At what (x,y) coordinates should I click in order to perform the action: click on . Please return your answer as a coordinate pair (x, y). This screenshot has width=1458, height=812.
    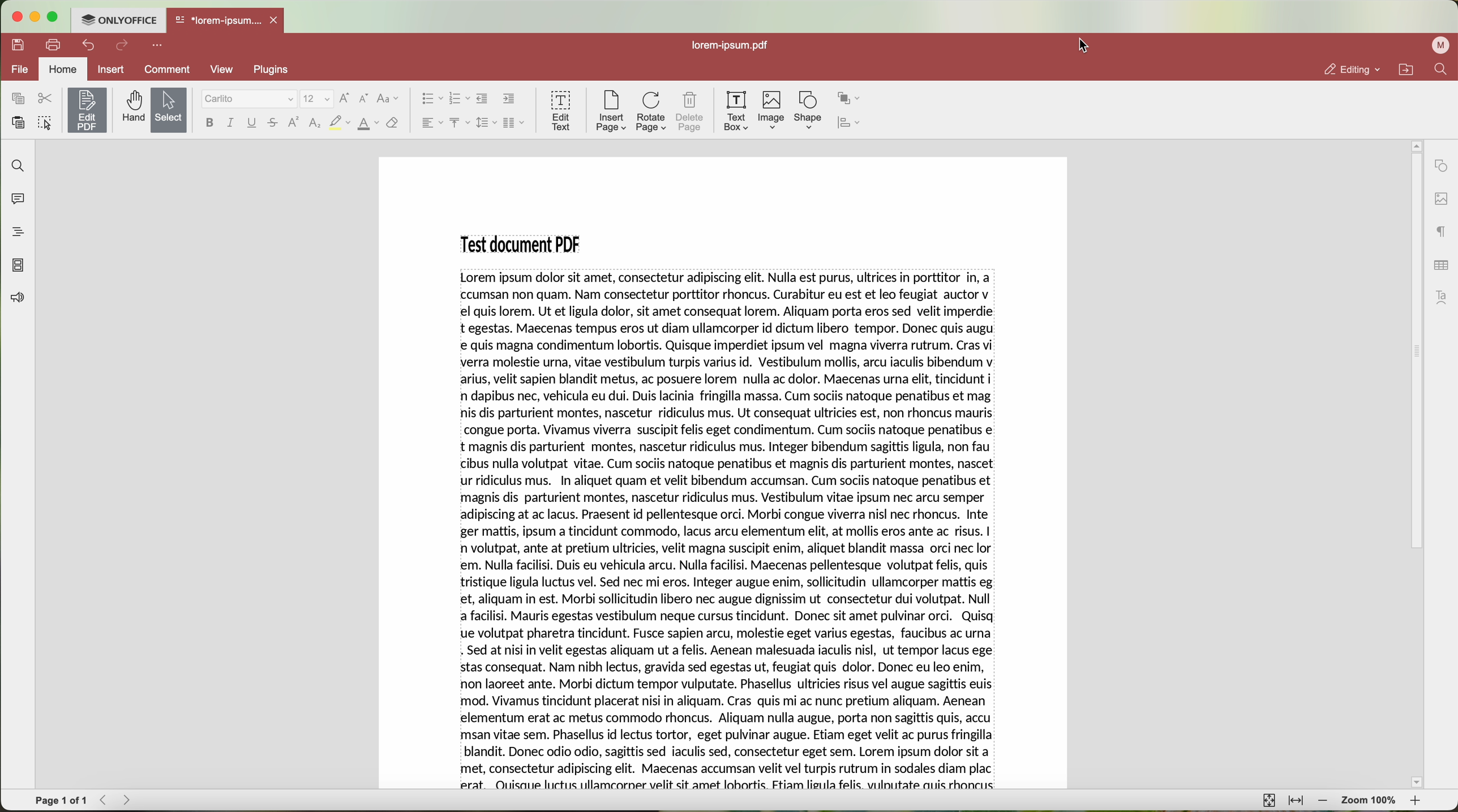
    Looking at the image, I should click on (730, 532).